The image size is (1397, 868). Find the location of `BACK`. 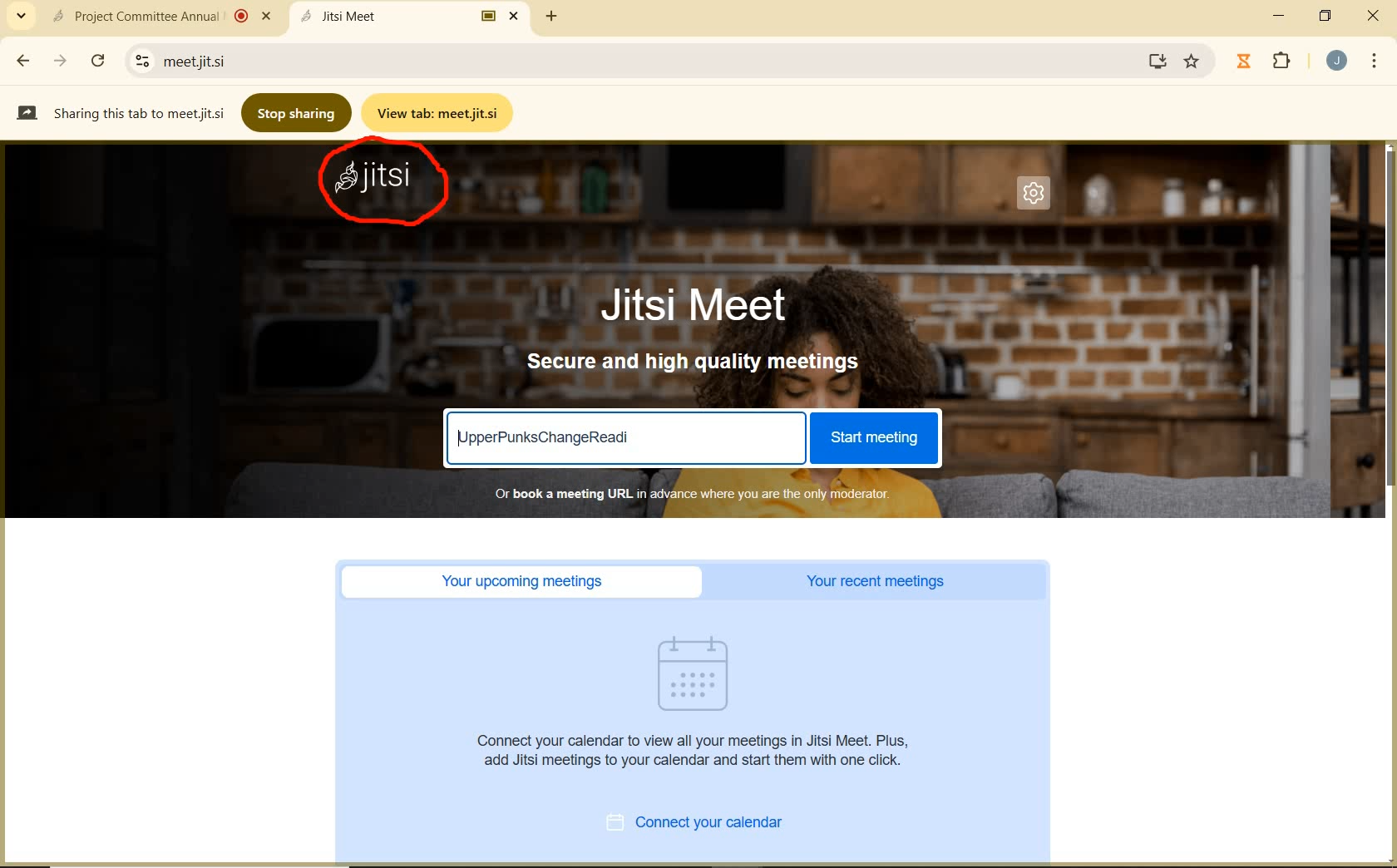

BACK is located at coordinates (22, 61).